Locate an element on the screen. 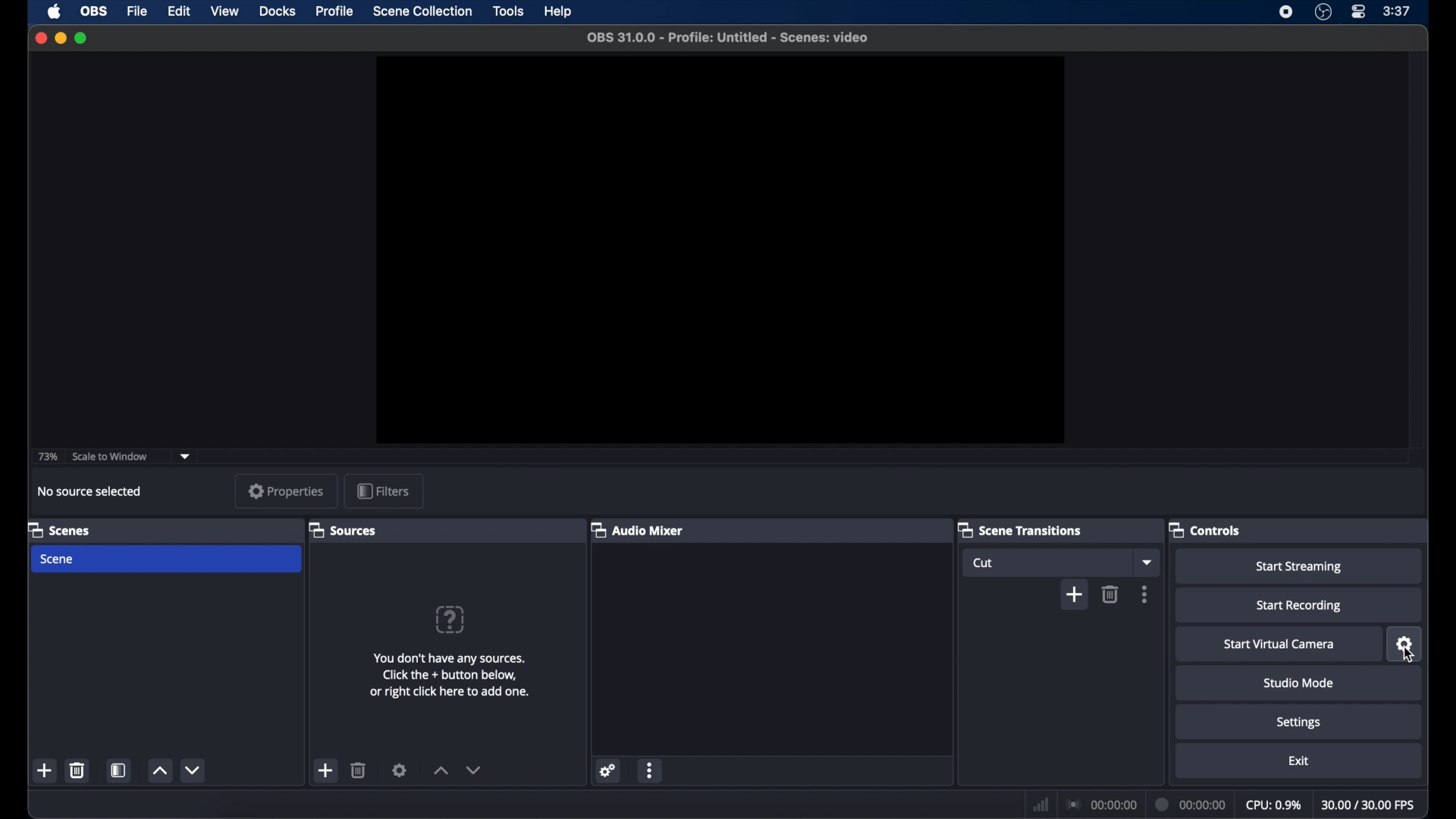 The width and height of the screenshot is (1456, 819). duration is located at coordinates (1192, 804).